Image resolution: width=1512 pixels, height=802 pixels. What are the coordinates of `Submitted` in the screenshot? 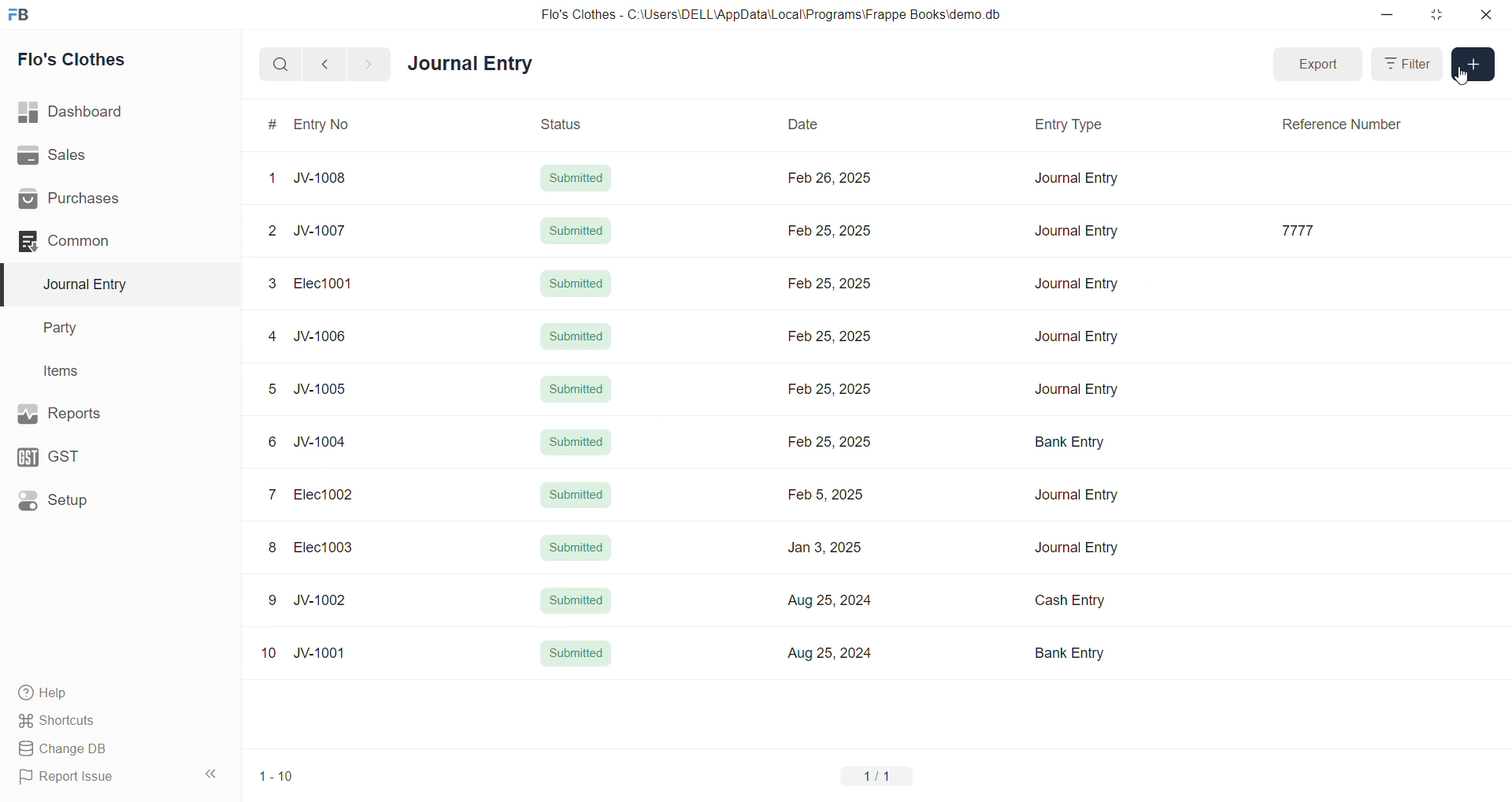 It's located at (576, 545).